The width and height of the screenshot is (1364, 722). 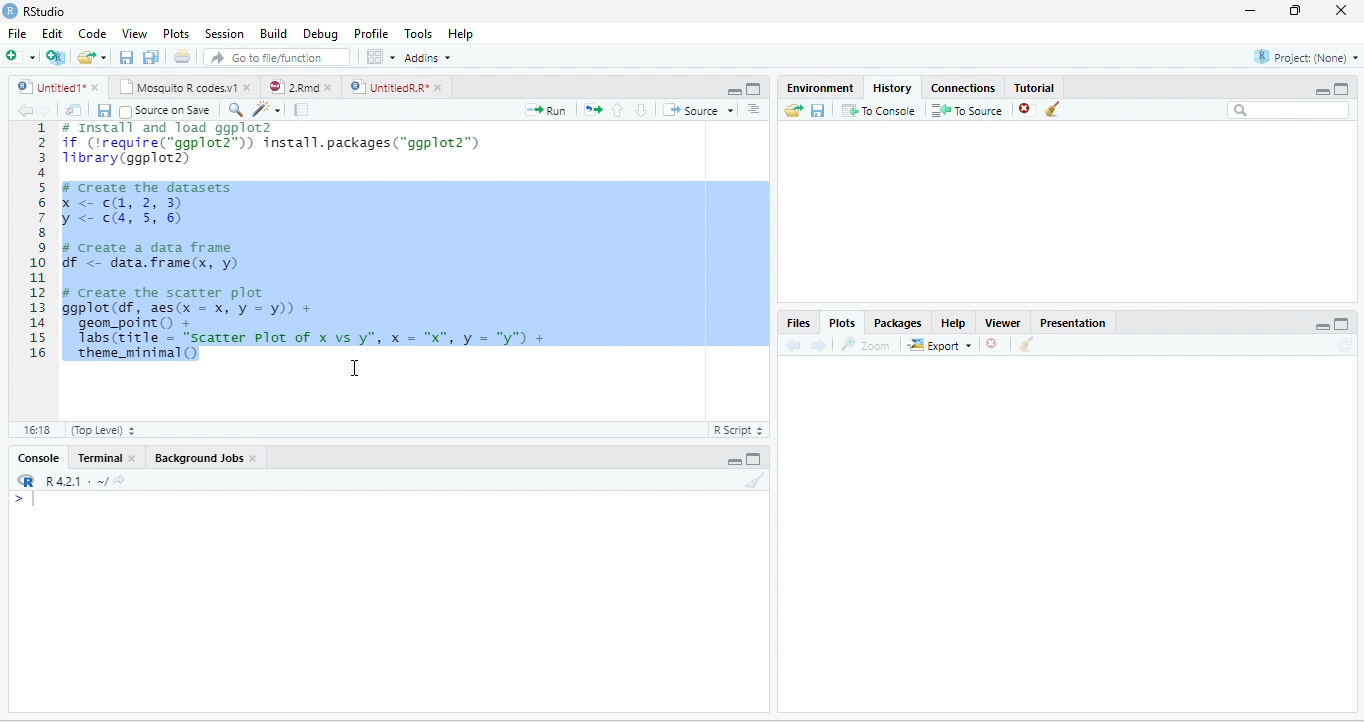 I want to click on Background Jobs, so click(x=197, y=459).